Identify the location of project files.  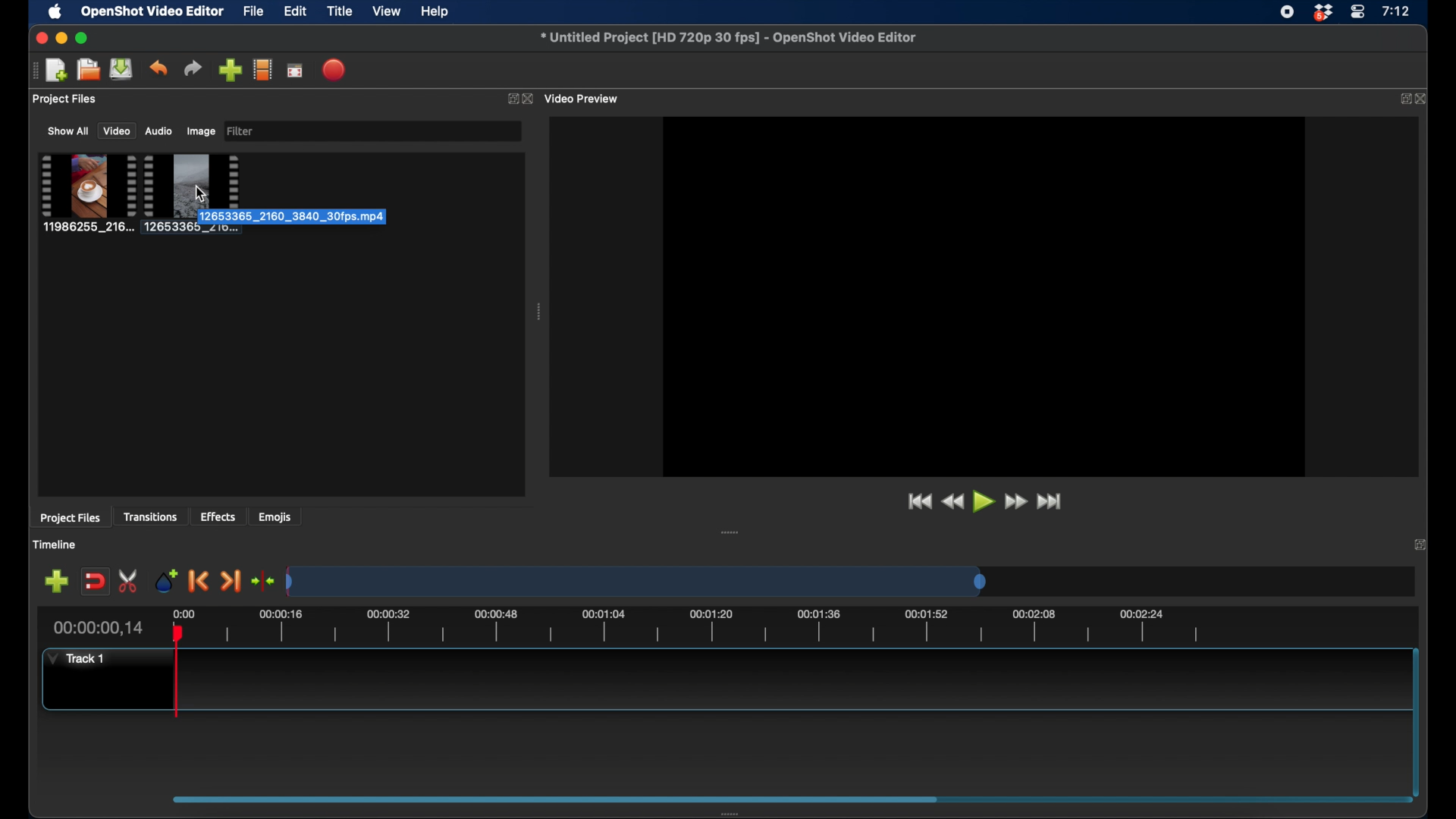
(71, 519).